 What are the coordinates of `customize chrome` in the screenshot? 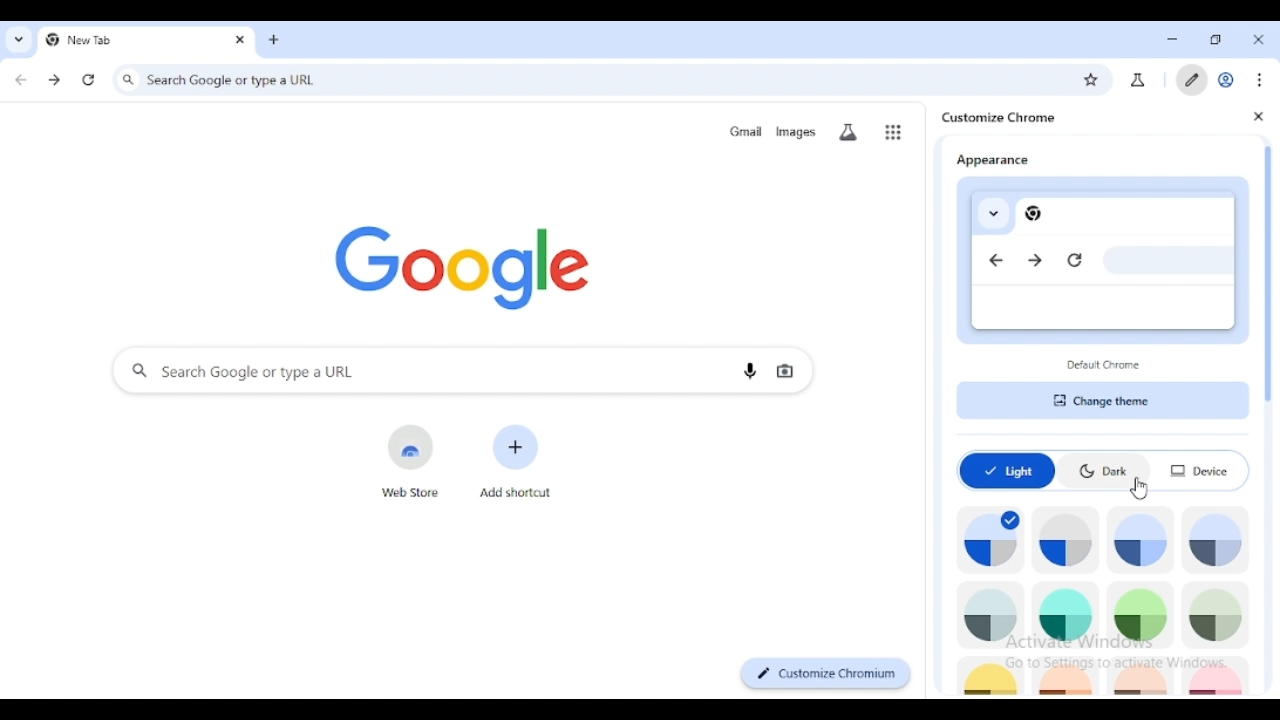 It's located at (999, 118).